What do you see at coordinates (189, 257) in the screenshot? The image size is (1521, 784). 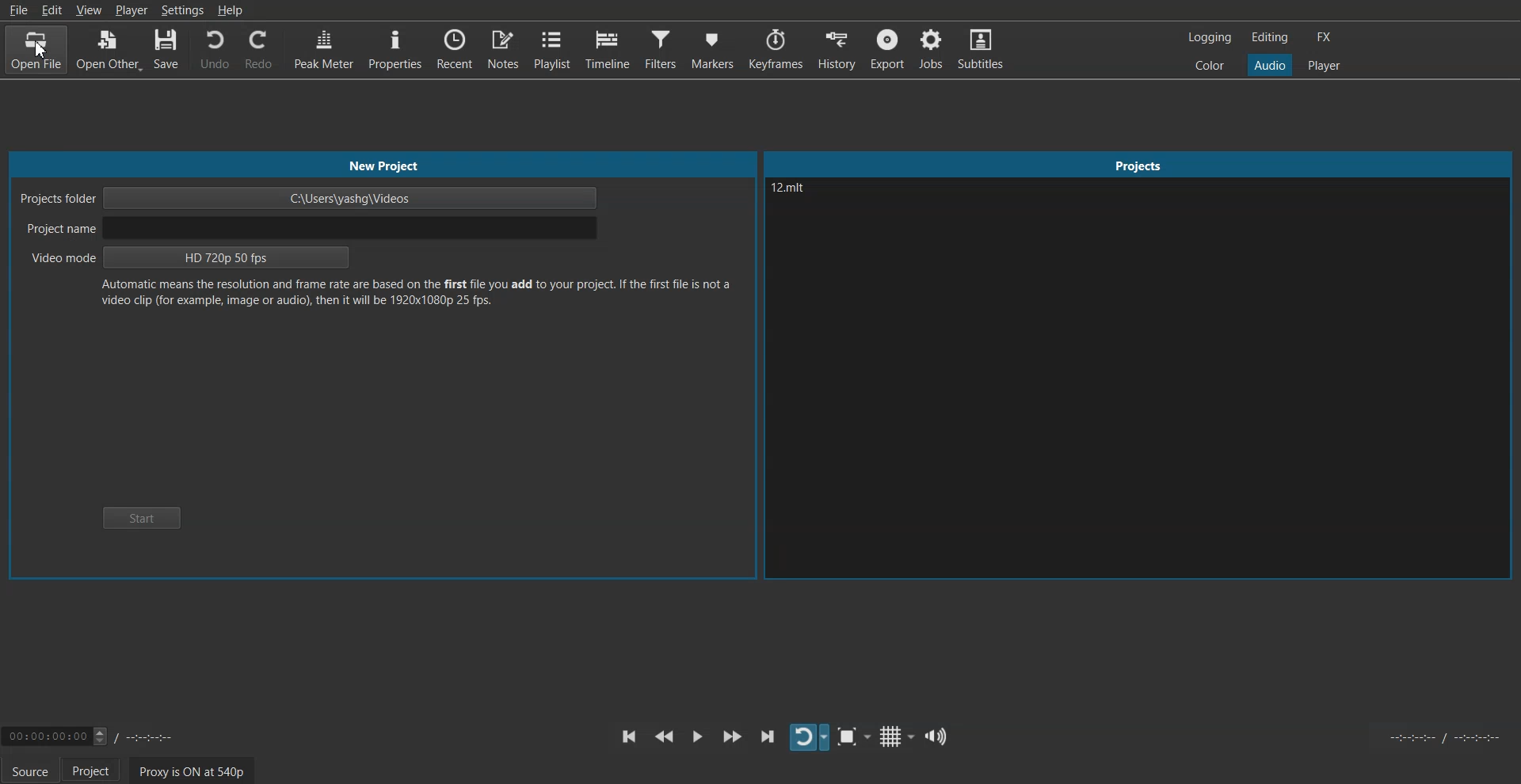 I see `Video mode` at bounding box center [189, 257].